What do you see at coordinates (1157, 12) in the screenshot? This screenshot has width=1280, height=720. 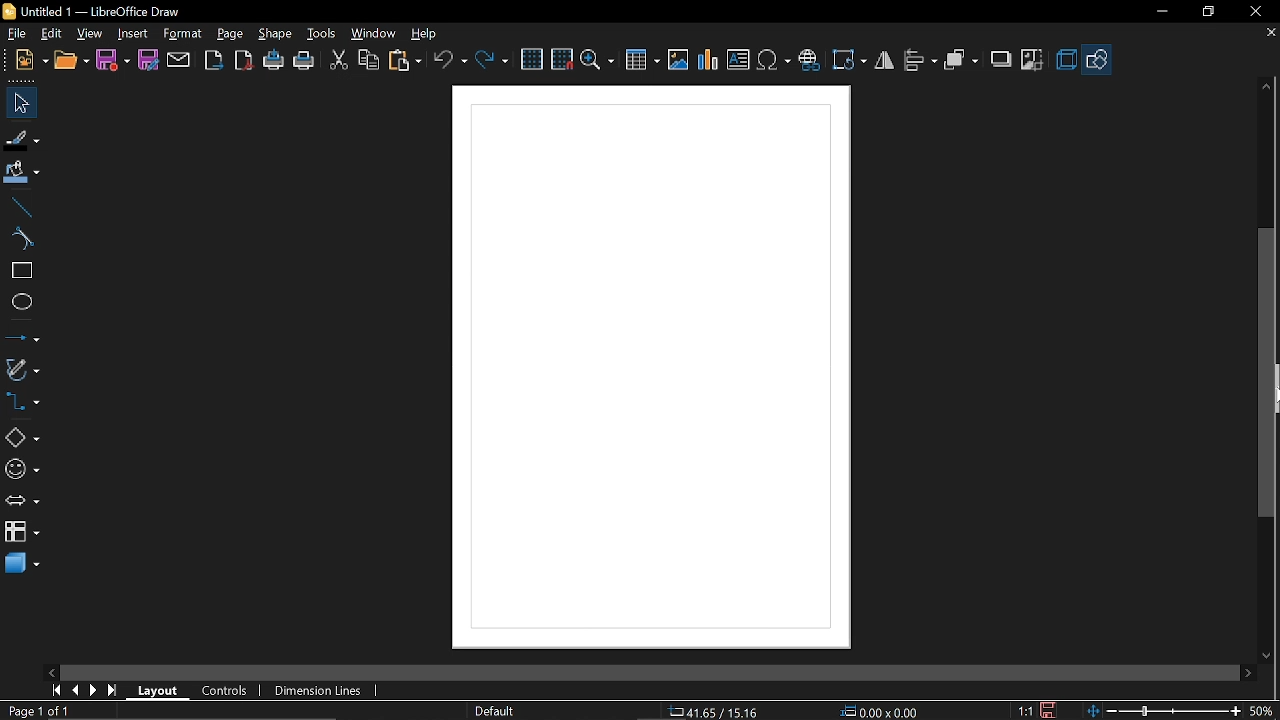 I see `Minimize` at bounding box center [1157, 12].